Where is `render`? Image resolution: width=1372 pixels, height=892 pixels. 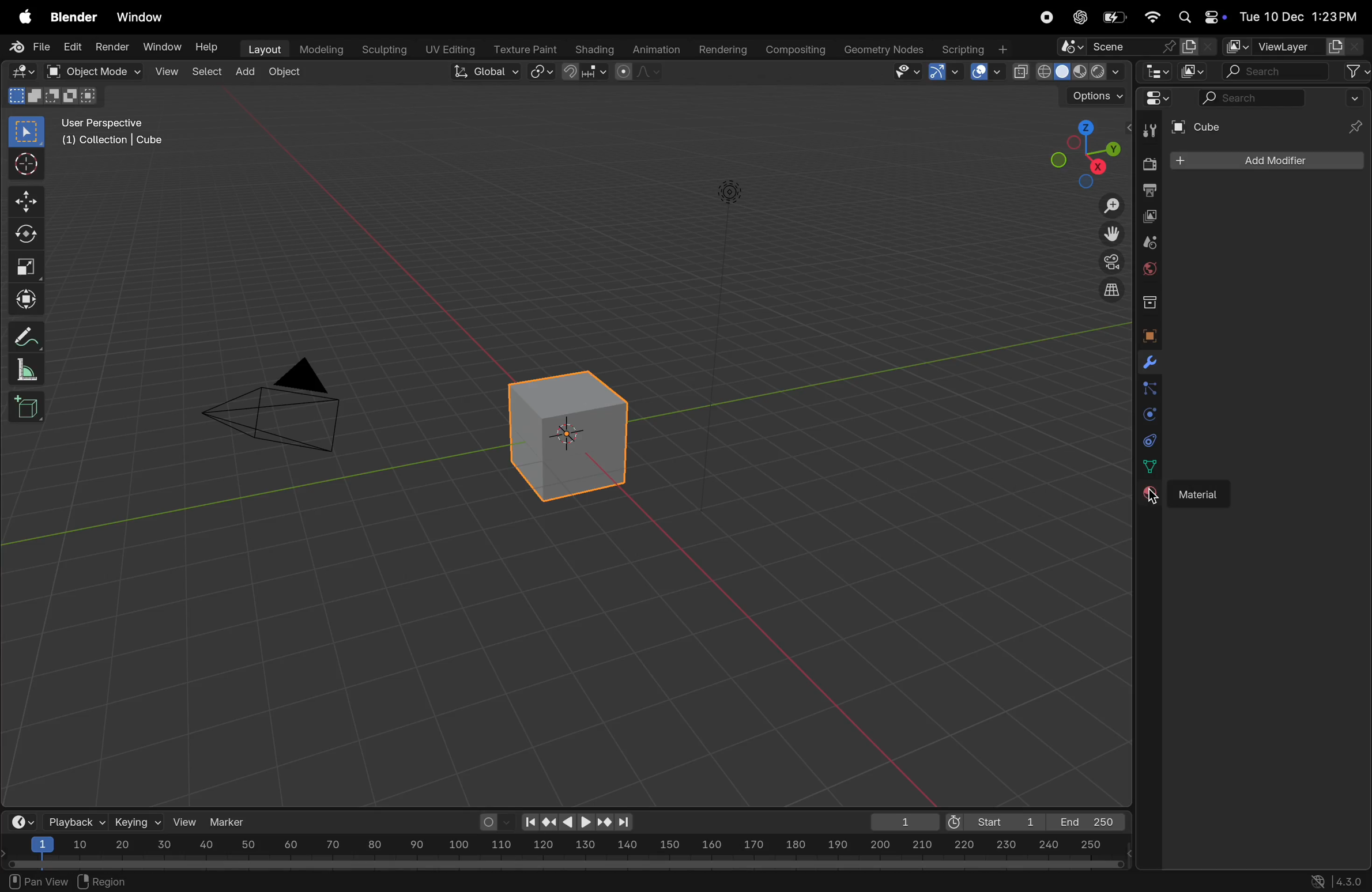 render is located at coordinates (110, 46).